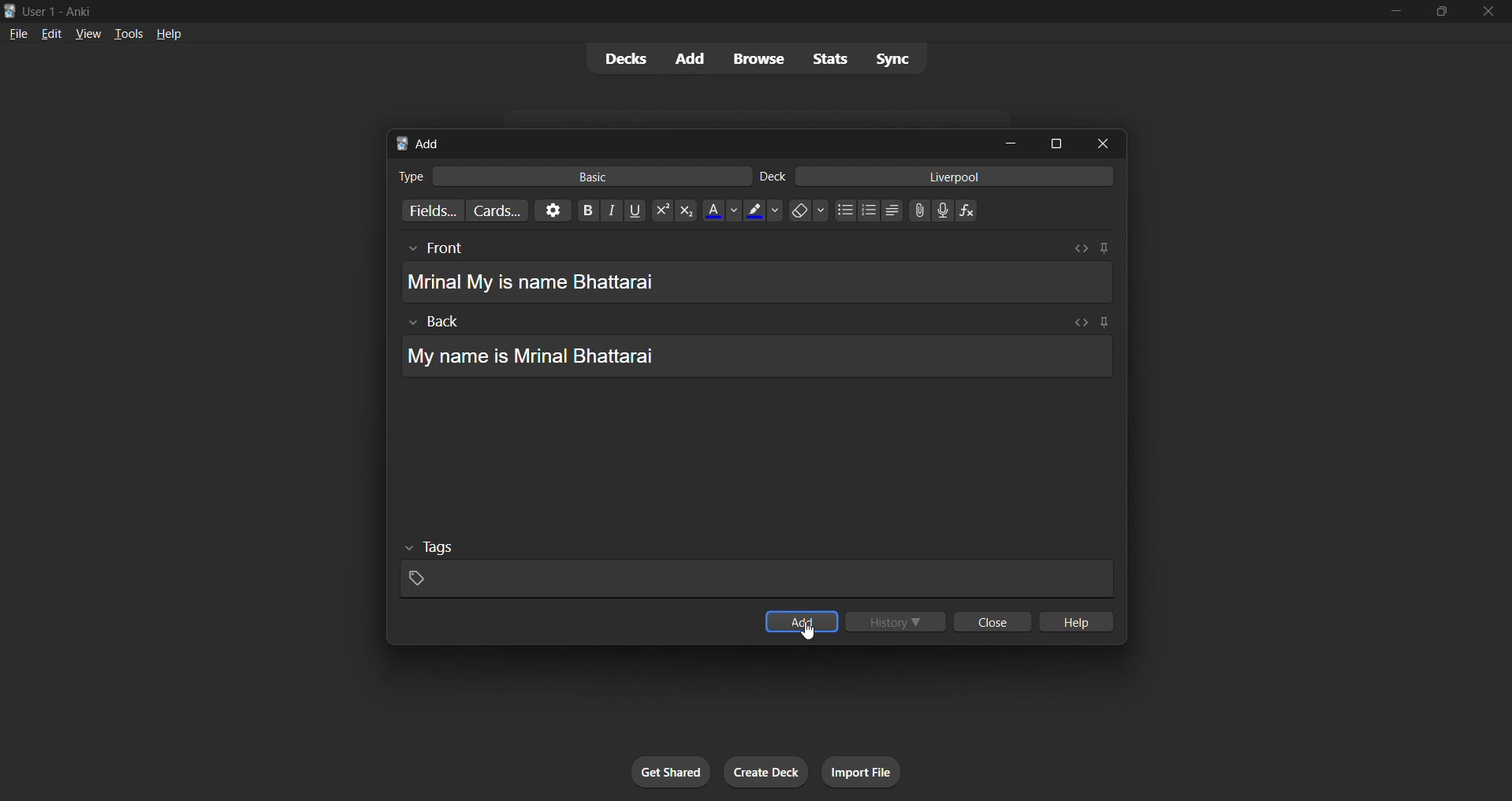 The width and height of the screenshot is (1512, 801). Describe the element at coordinates (620, 58) in the screenshot. I see `decks` at that location.